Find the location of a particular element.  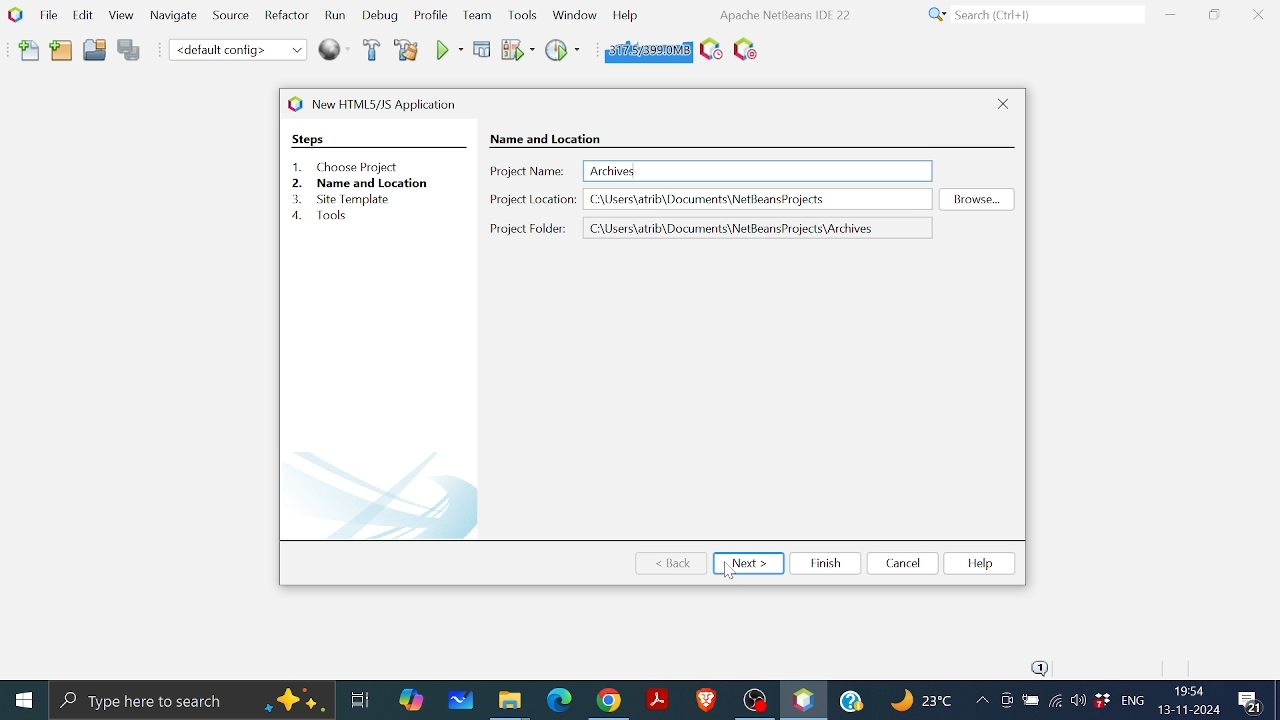

Google chrome is located at coordinates (611, 700).